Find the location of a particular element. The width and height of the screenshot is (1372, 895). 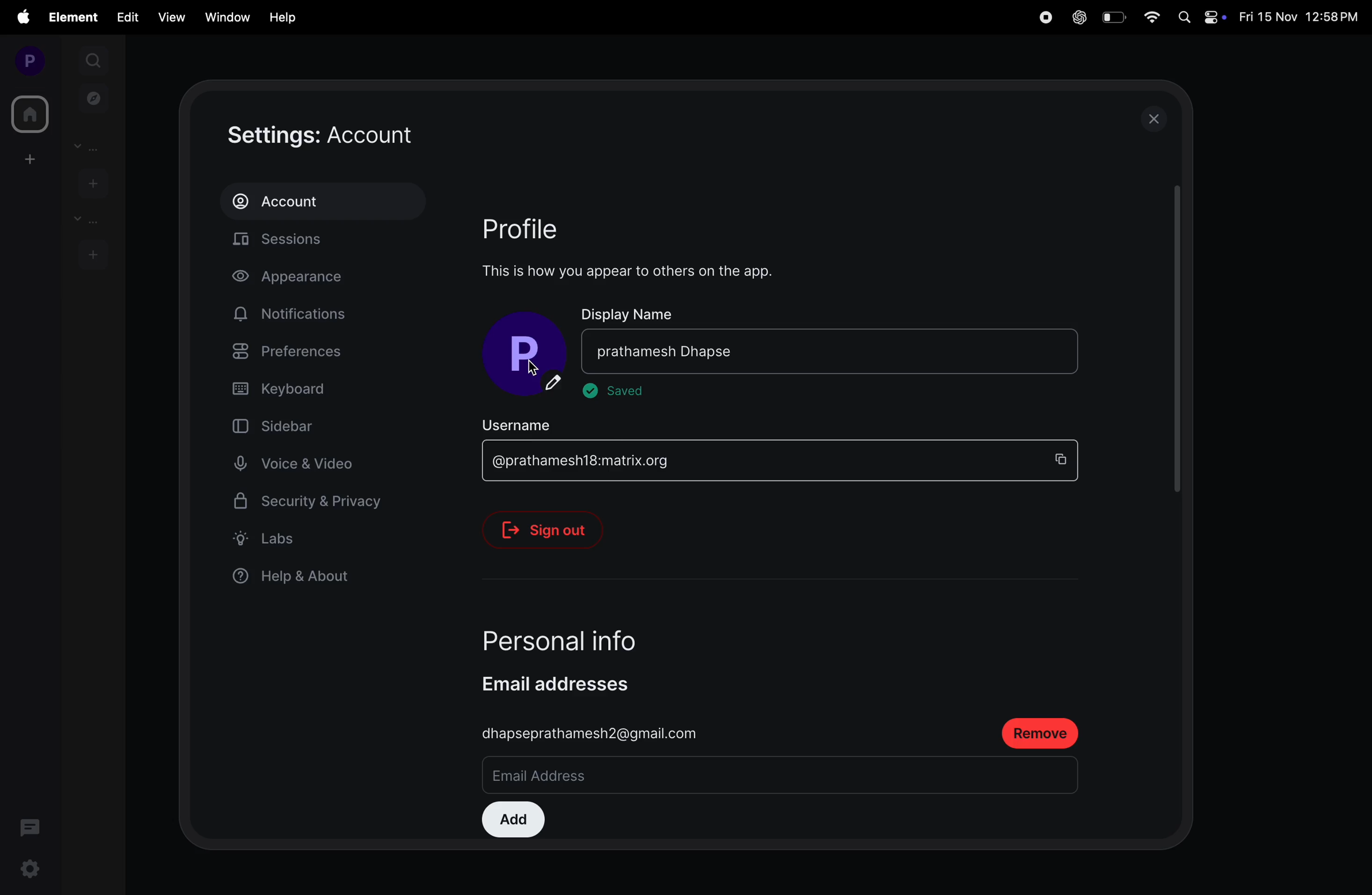

username is located at coordinates (533, 419).